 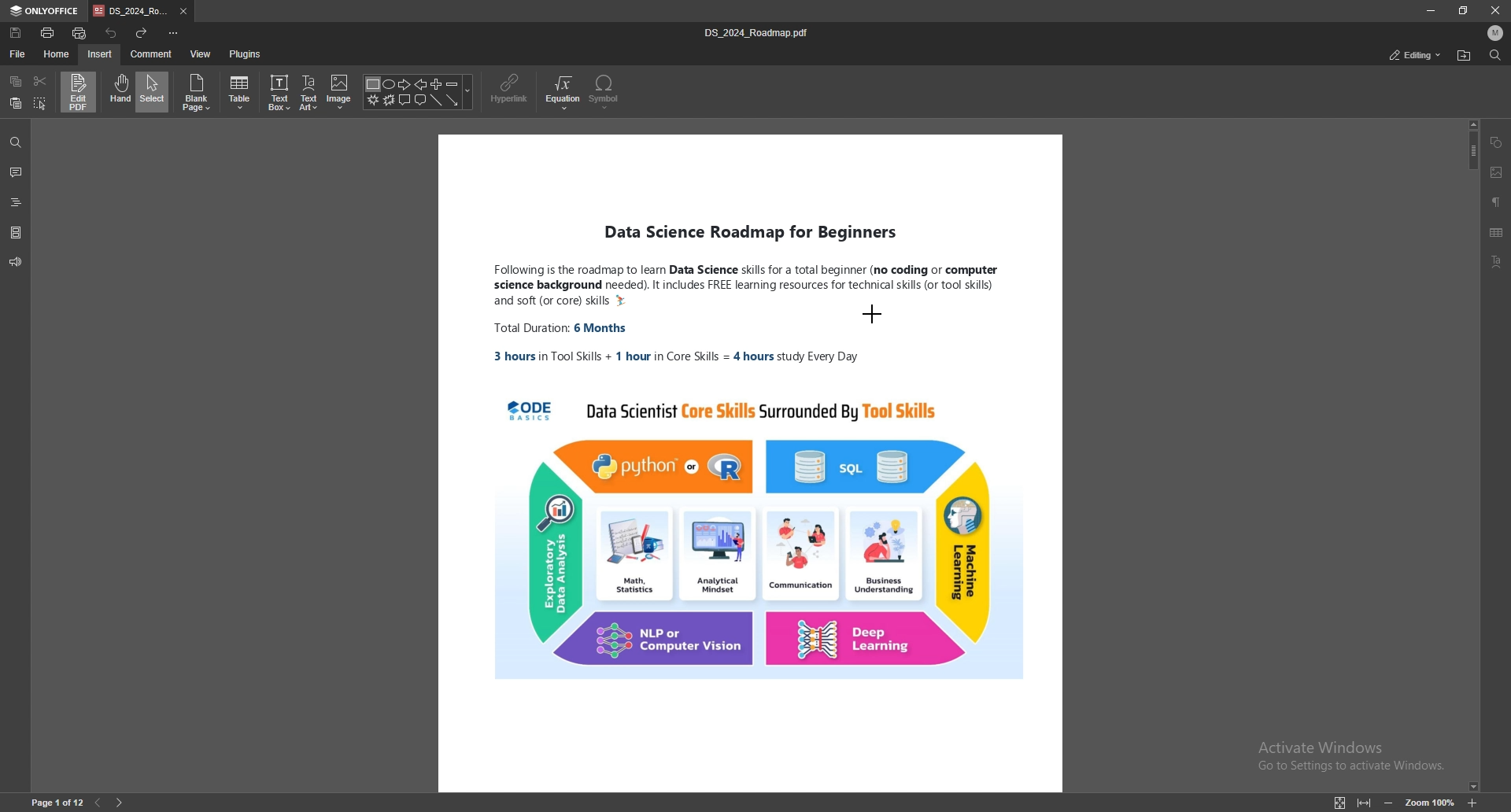 What do you see at coordinates (1494, 55) in the screenshot?
I see `find` at bounding box center [1494, 55].